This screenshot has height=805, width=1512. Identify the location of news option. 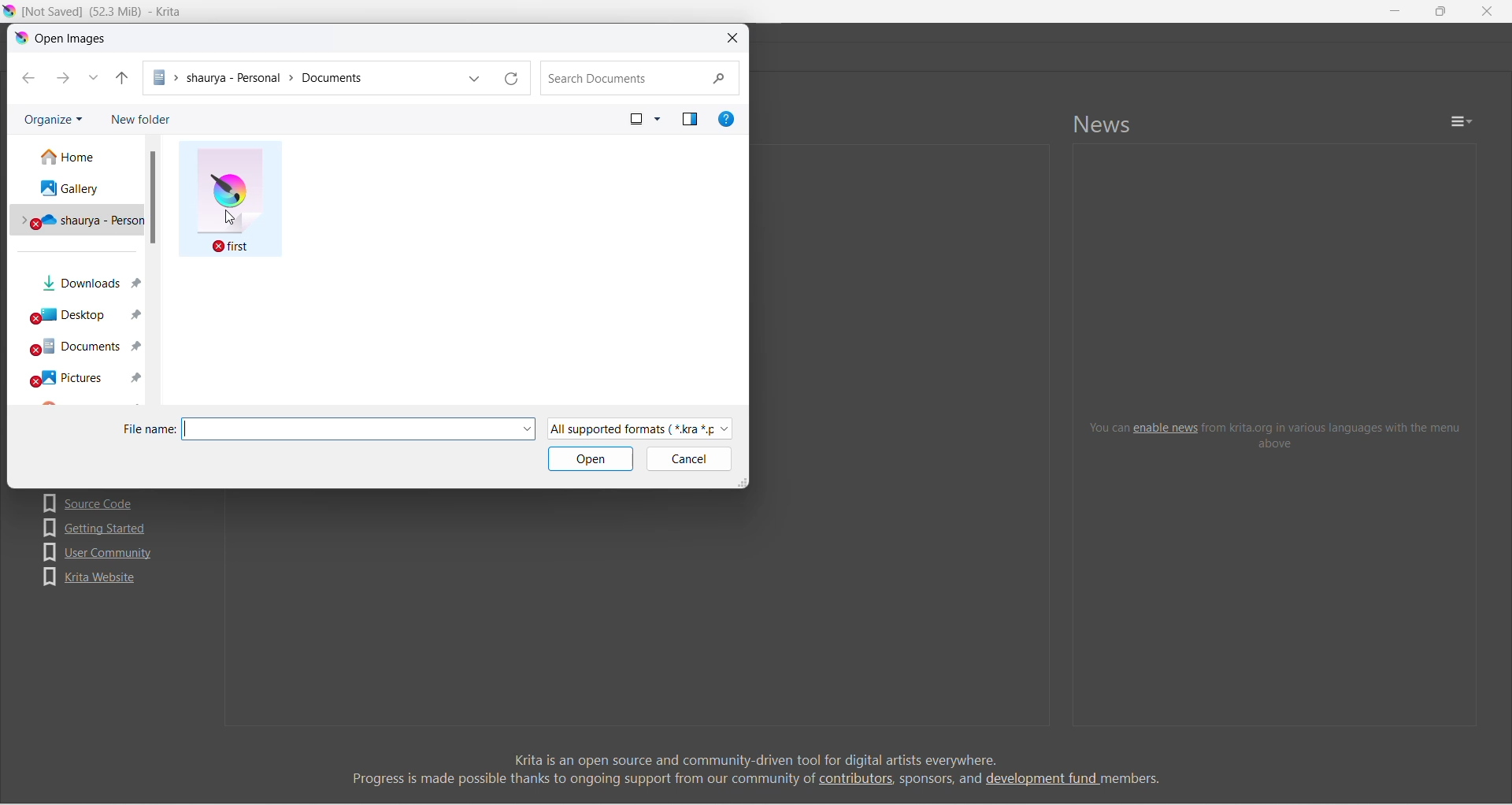
(1462, 121).